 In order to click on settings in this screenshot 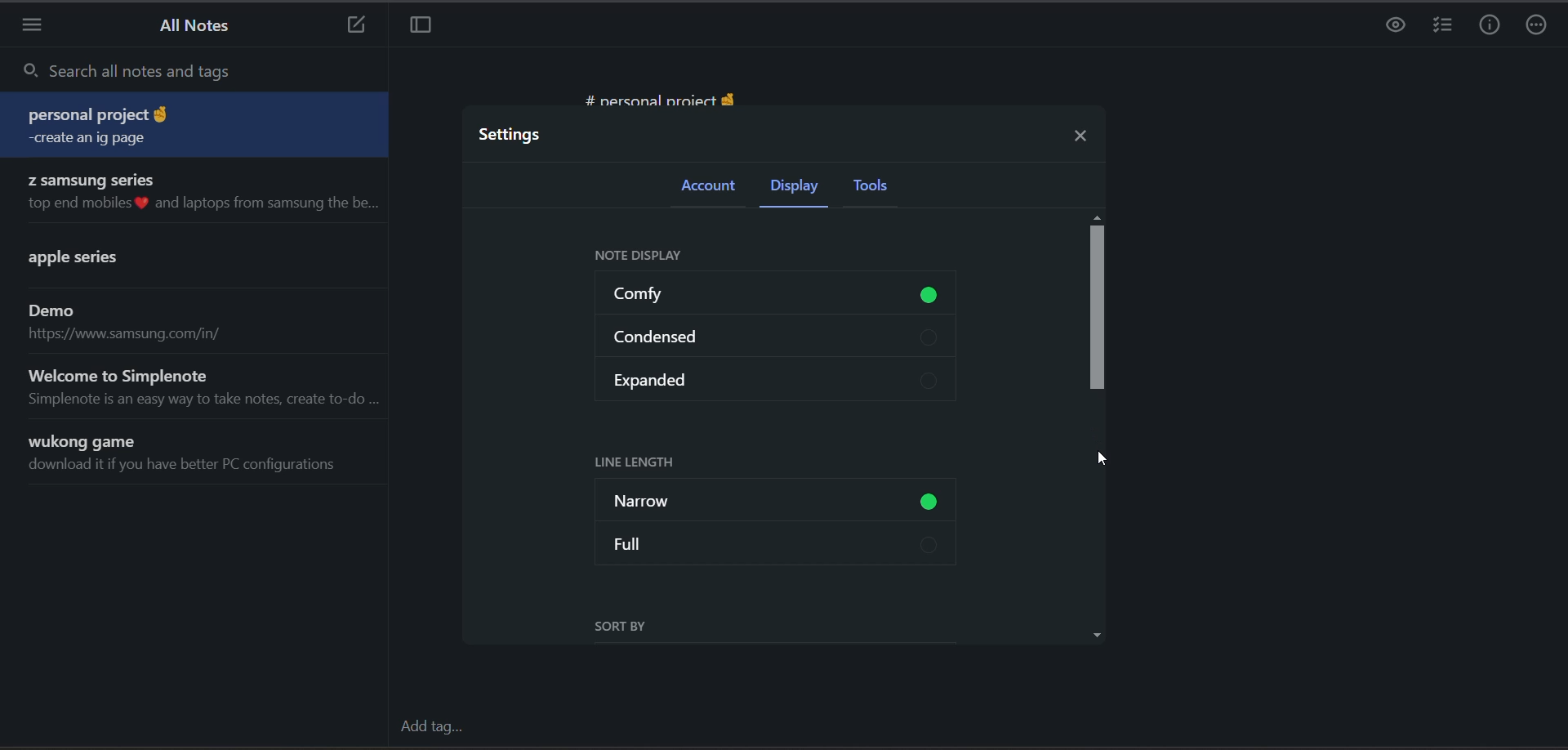, I will do `click(517, 137)`.